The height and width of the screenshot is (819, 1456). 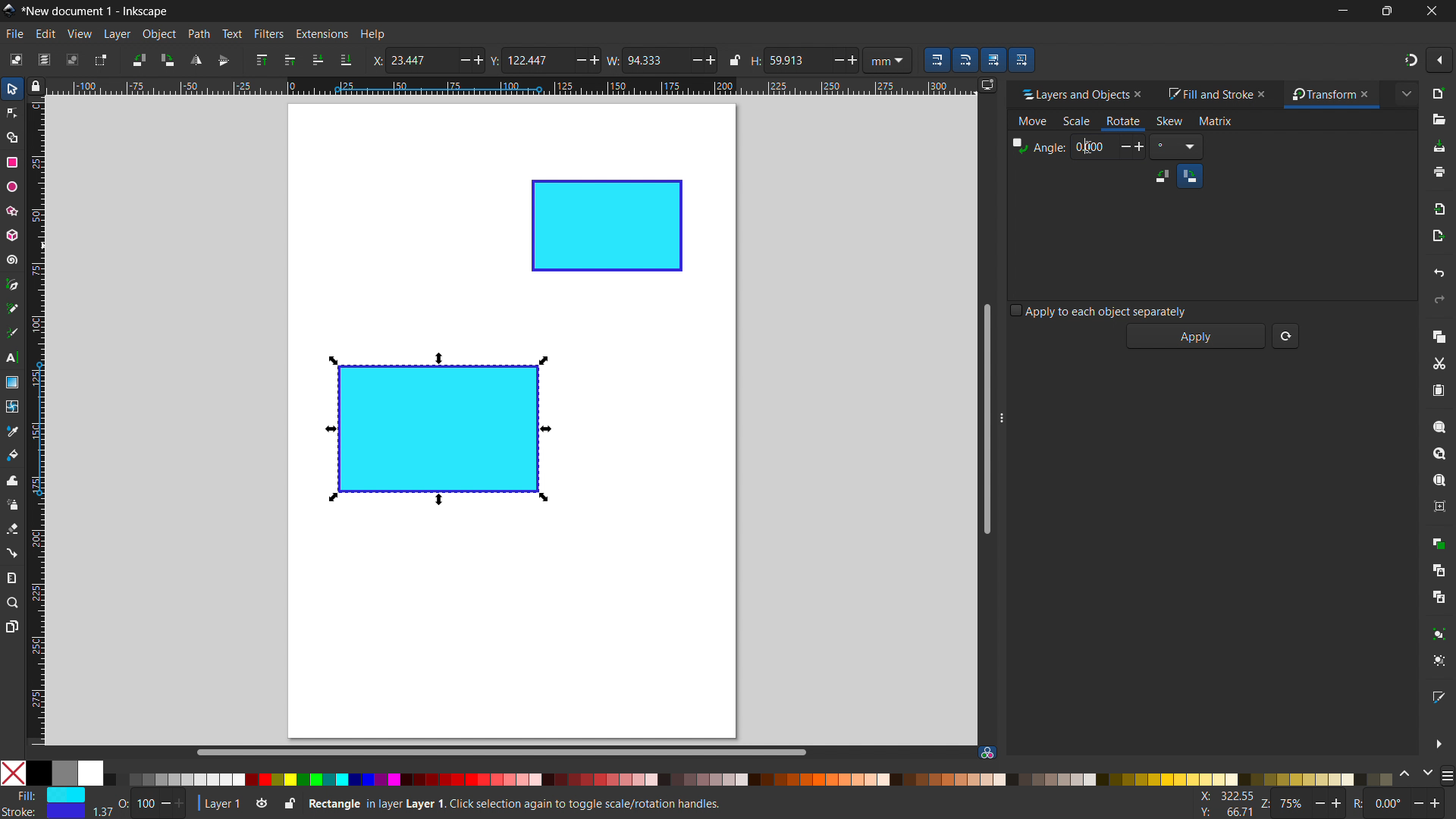 I want to click on ungroup, so click(x=1441, y=661).